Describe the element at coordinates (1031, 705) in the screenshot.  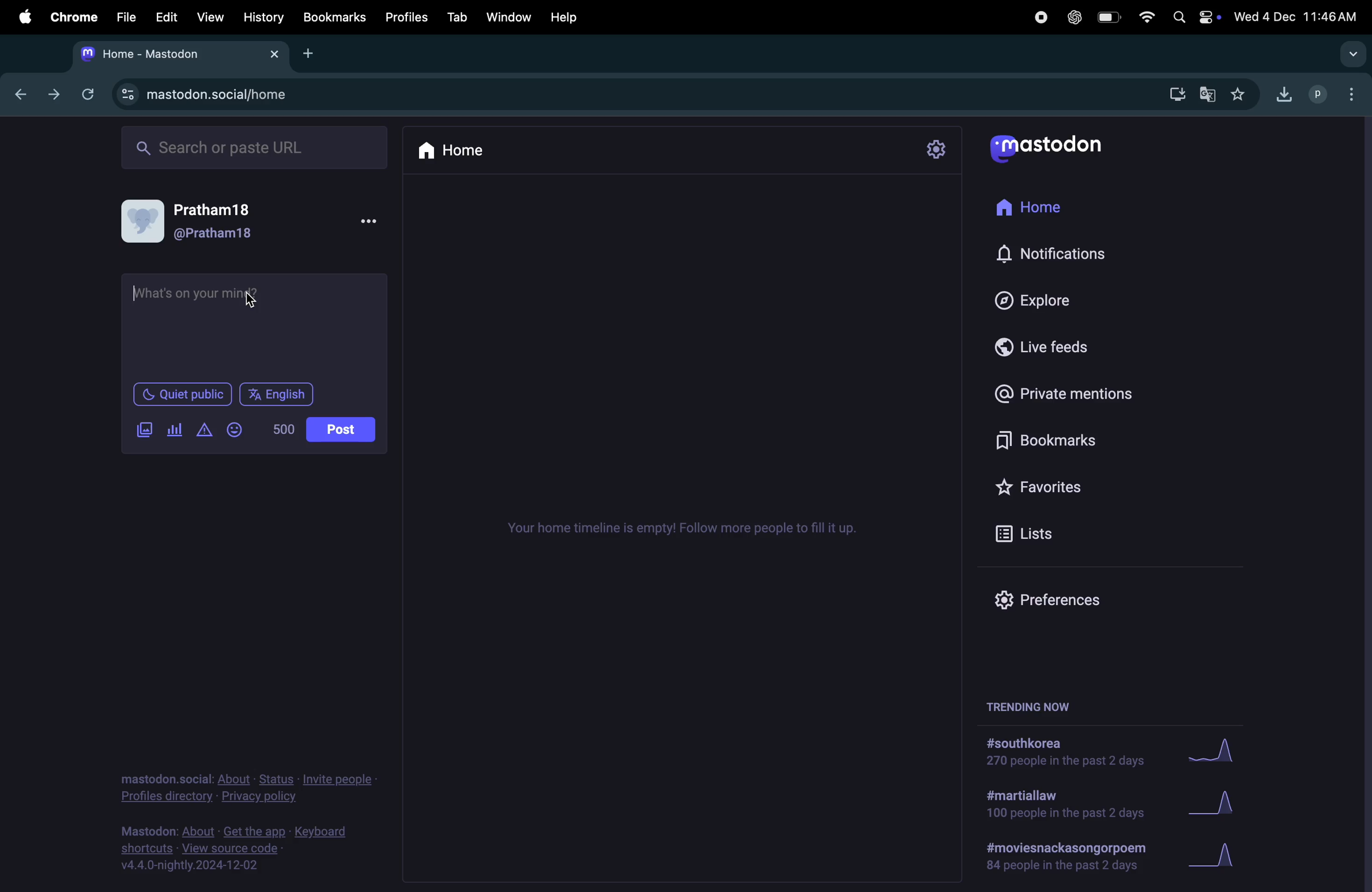
I see `trending now` at that location.